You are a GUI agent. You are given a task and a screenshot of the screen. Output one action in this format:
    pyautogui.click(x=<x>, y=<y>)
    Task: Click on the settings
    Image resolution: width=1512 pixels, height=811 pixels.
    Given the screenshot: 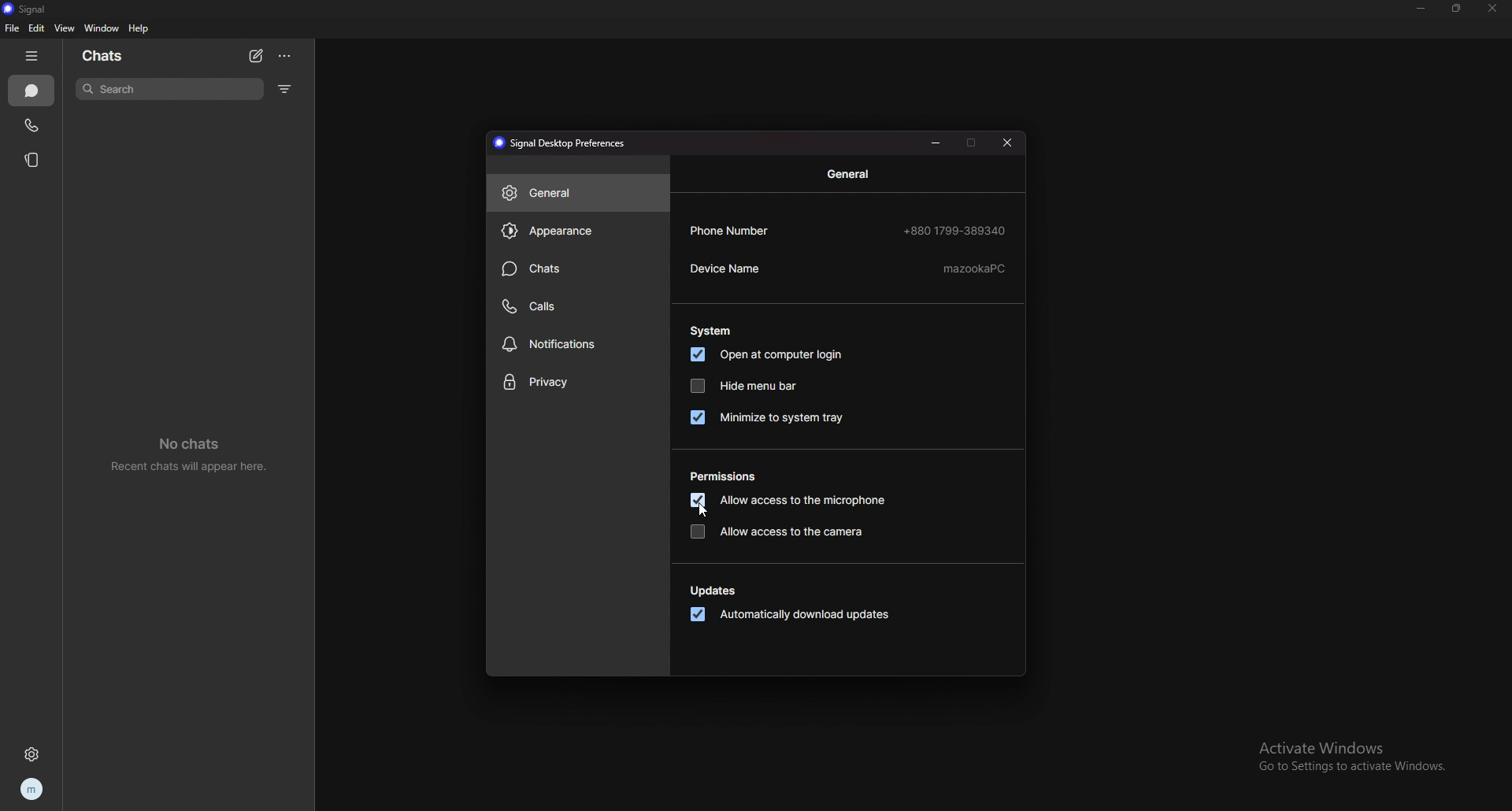 What is the action you would take?
    pyautogui.click(x=30, y=757)
    